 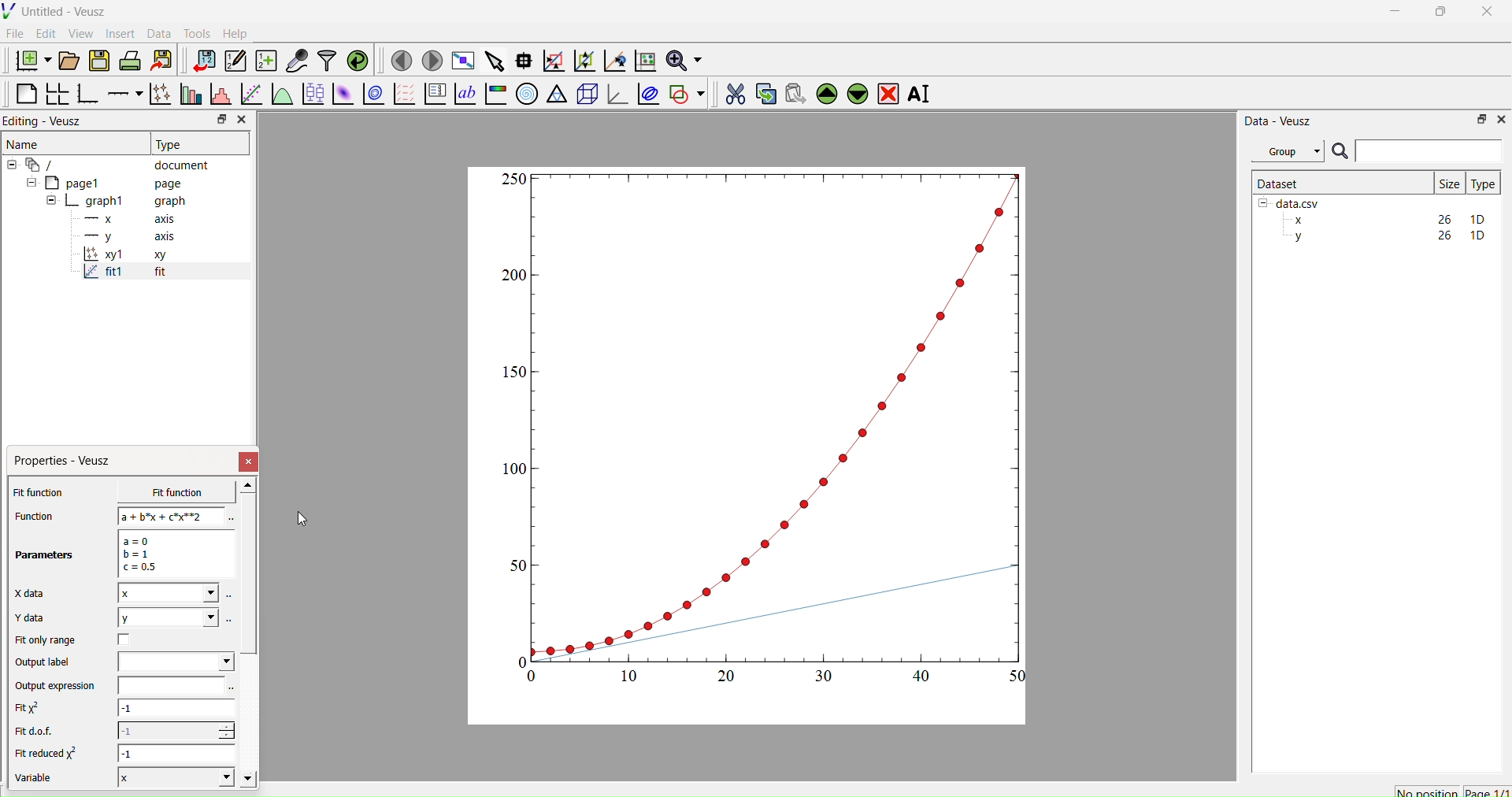 I want to click on Import data, so click(x=200, y=61).